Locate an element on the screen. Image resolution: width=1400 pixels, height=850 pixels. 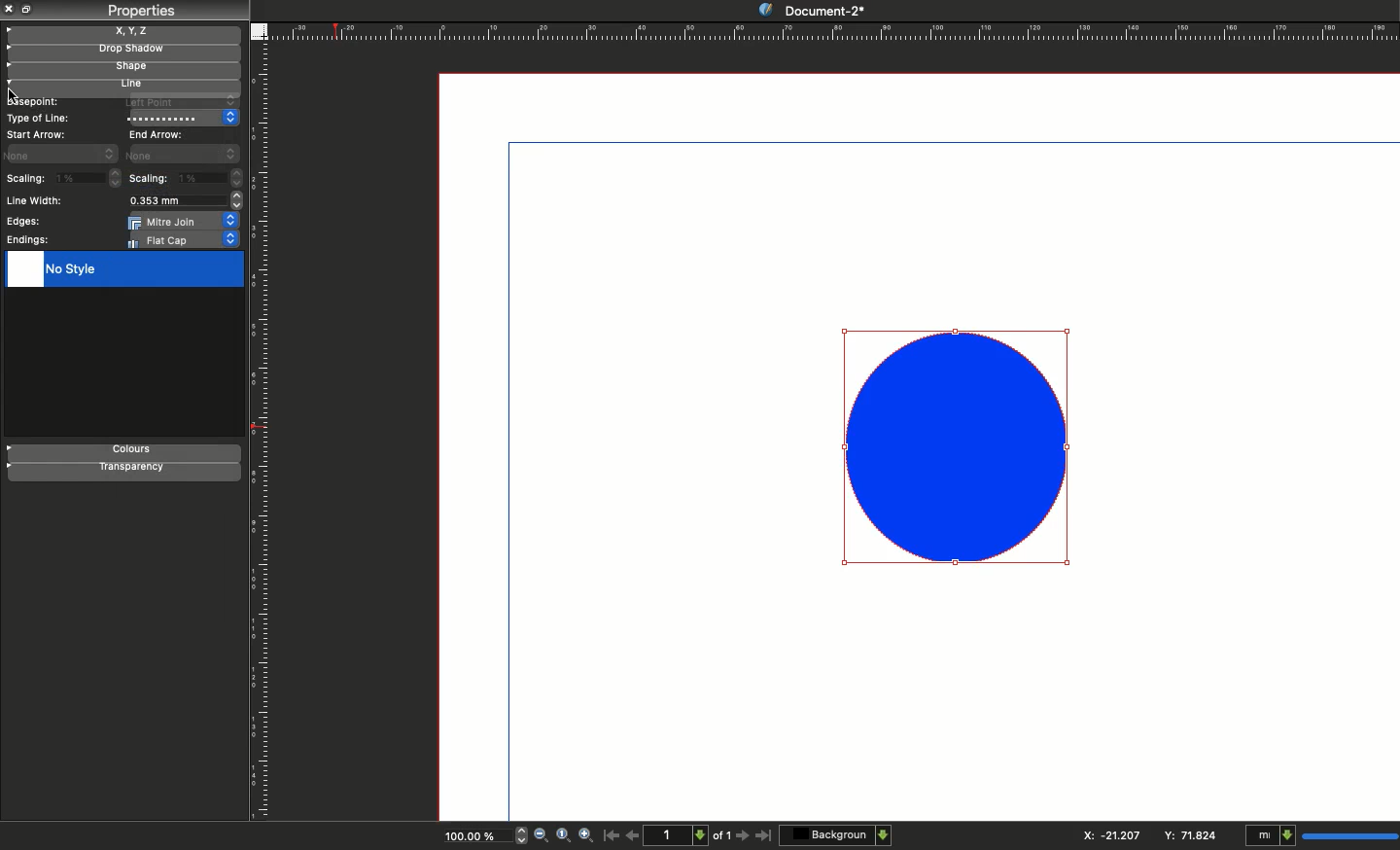
1% is located at coordinates (212, 179).